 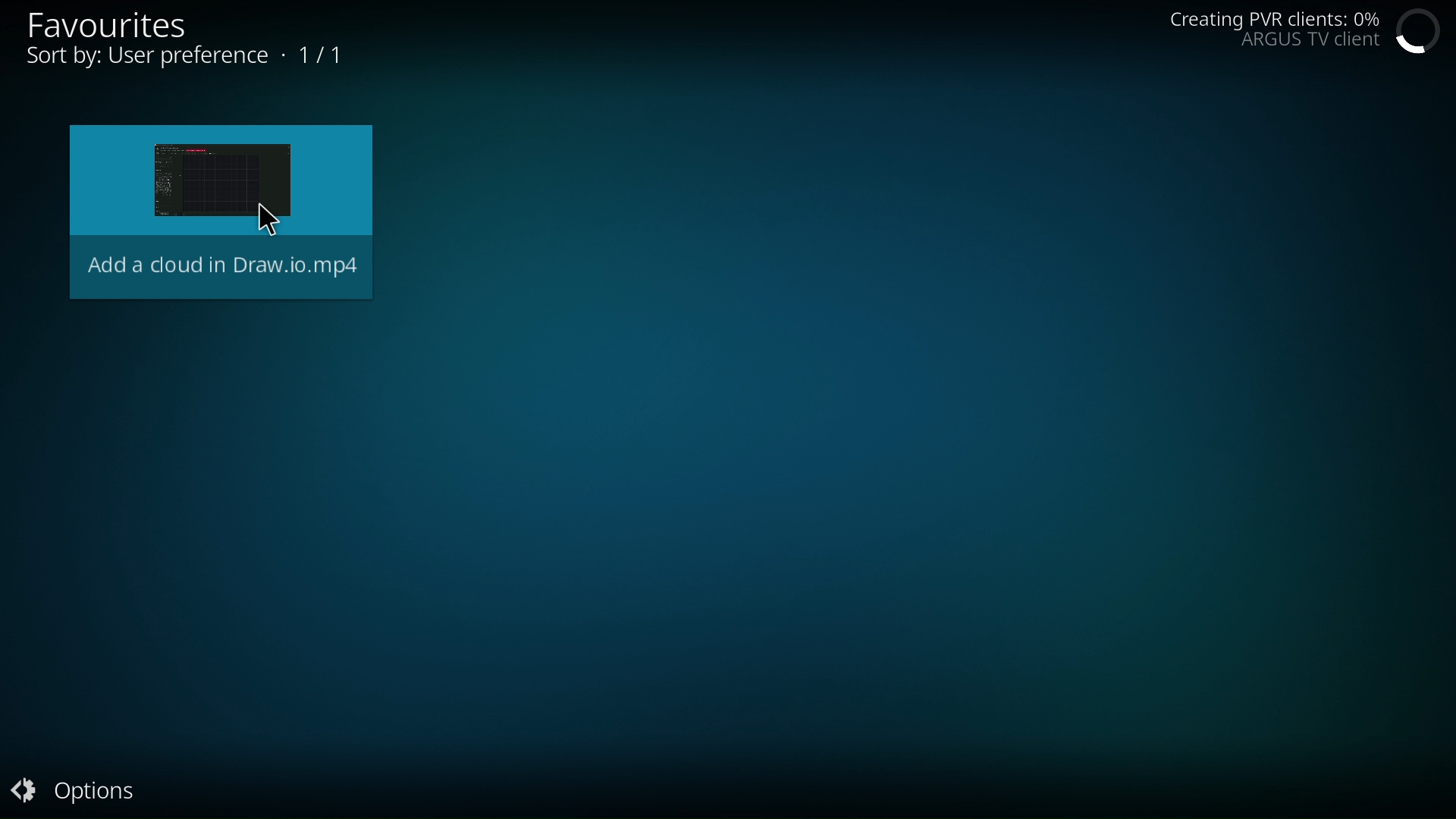 What do you see at coordinates (87, 789) in the screenshot?
I see `options` at bounding box center [87, 789].